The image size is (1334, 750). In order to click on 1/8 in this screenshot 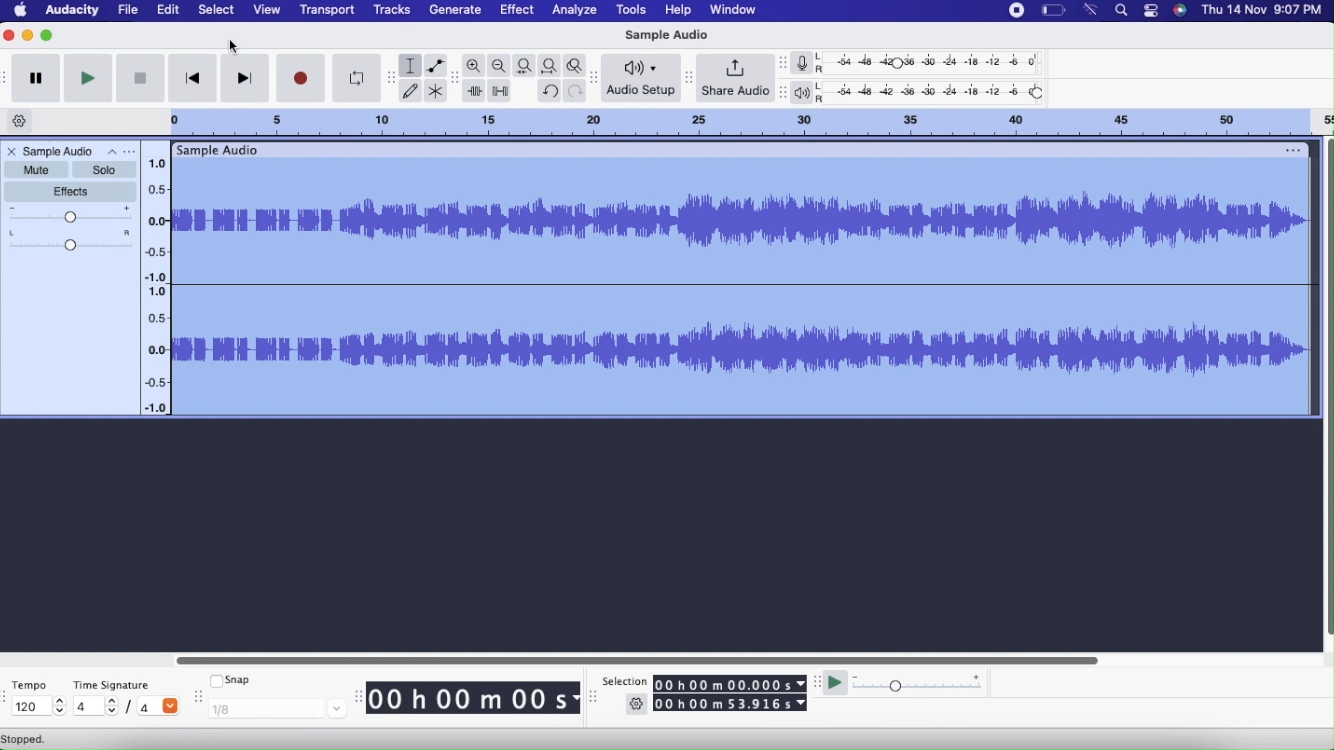, I will do `click(277, 712)`.